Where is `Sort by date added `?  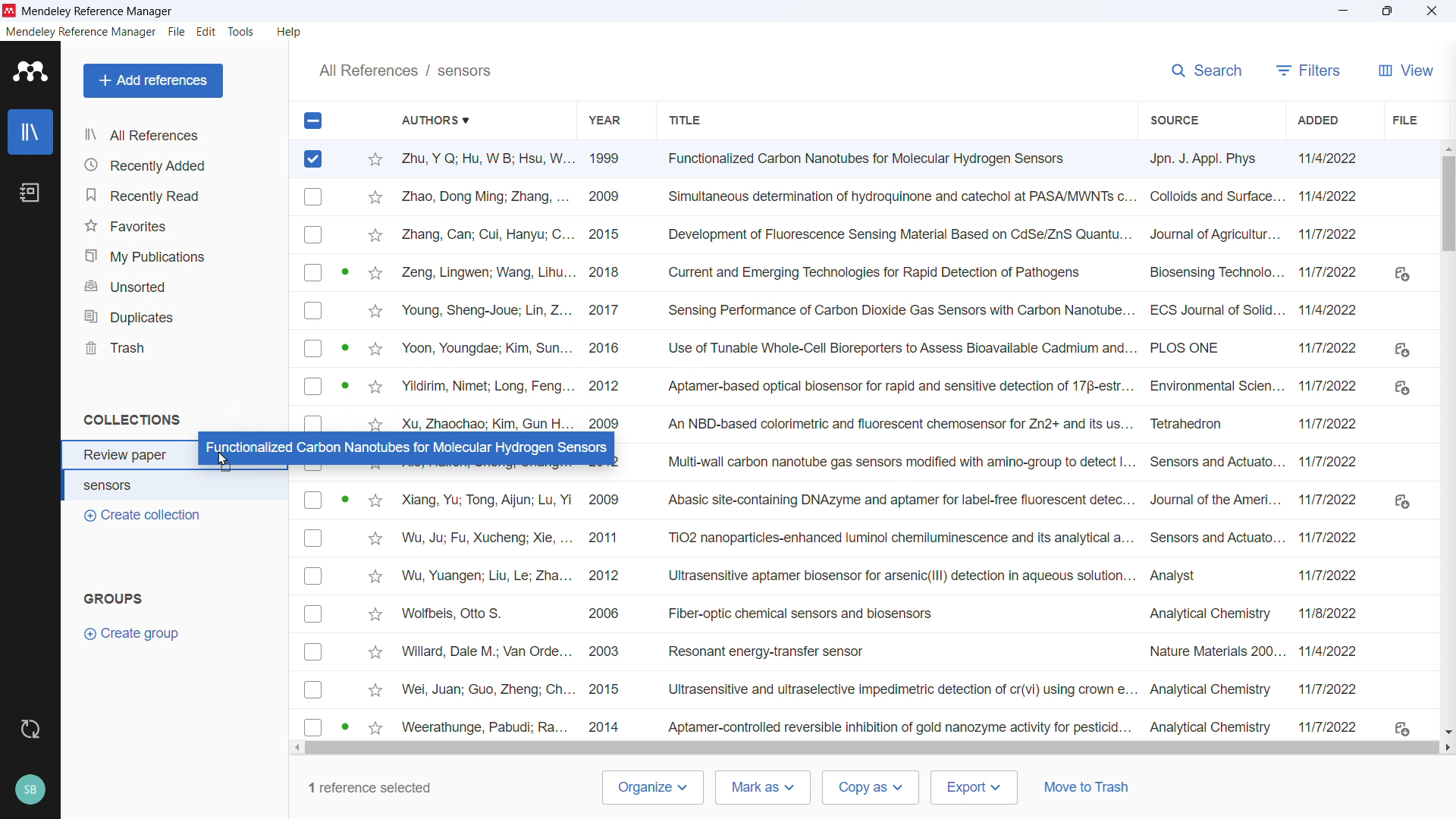 Sort by date added  is located at coordinates (1319, 120).